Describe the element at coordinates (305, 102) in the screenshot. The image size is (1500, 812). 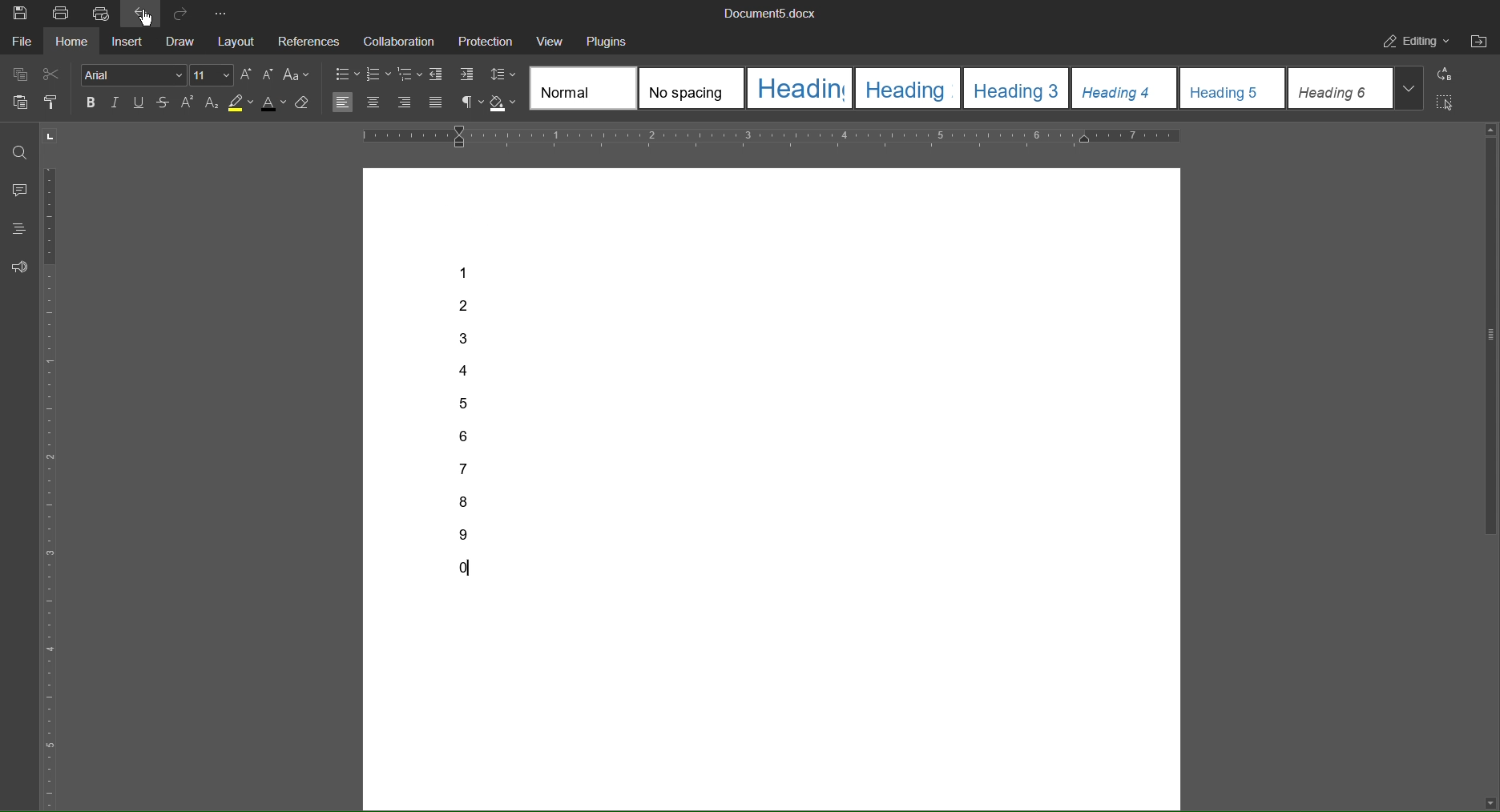
I see `Erase Style` at that location.